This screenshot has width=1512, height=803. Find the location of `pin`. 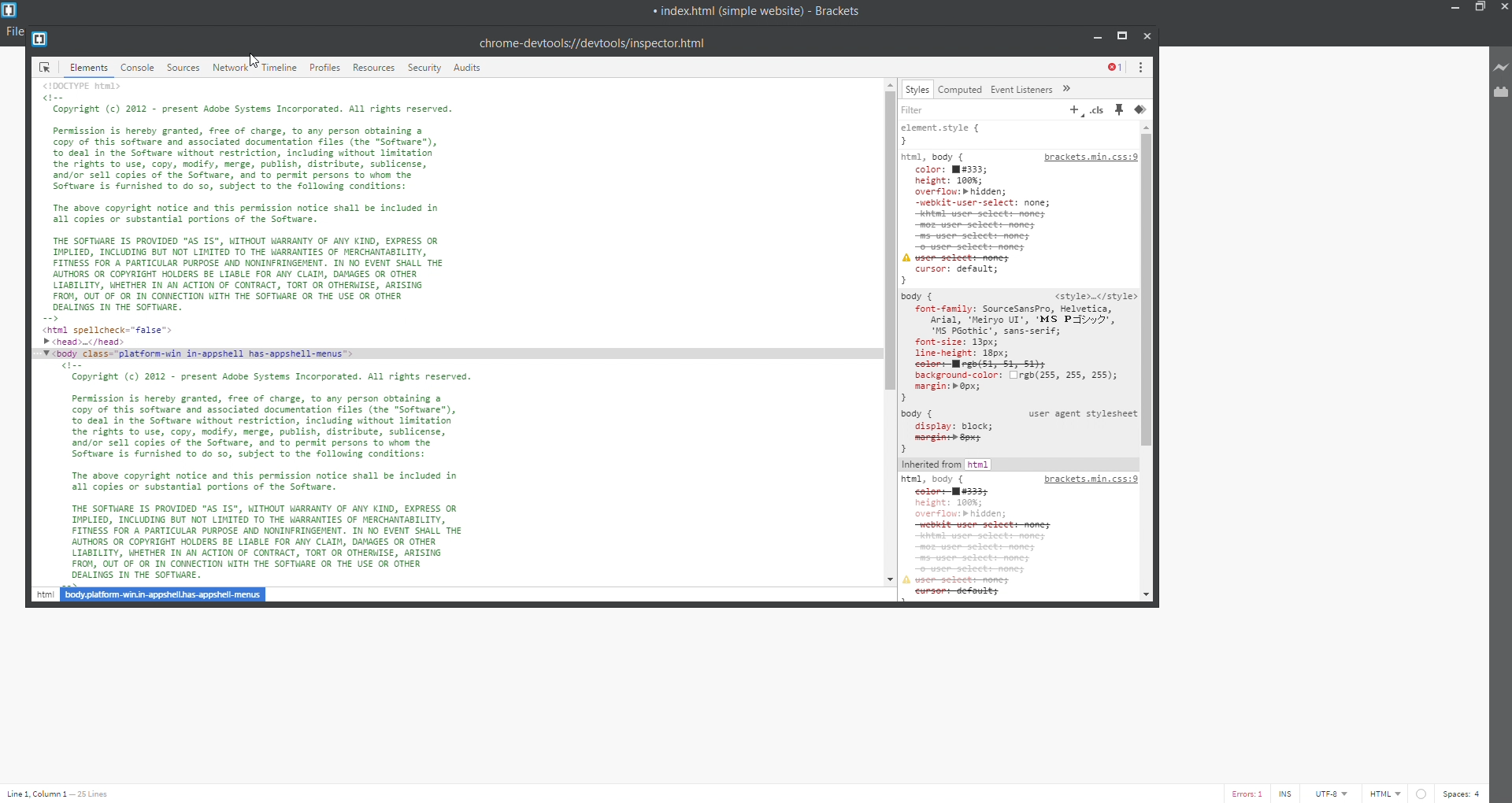

pin is located at coordinates (1117, 110).